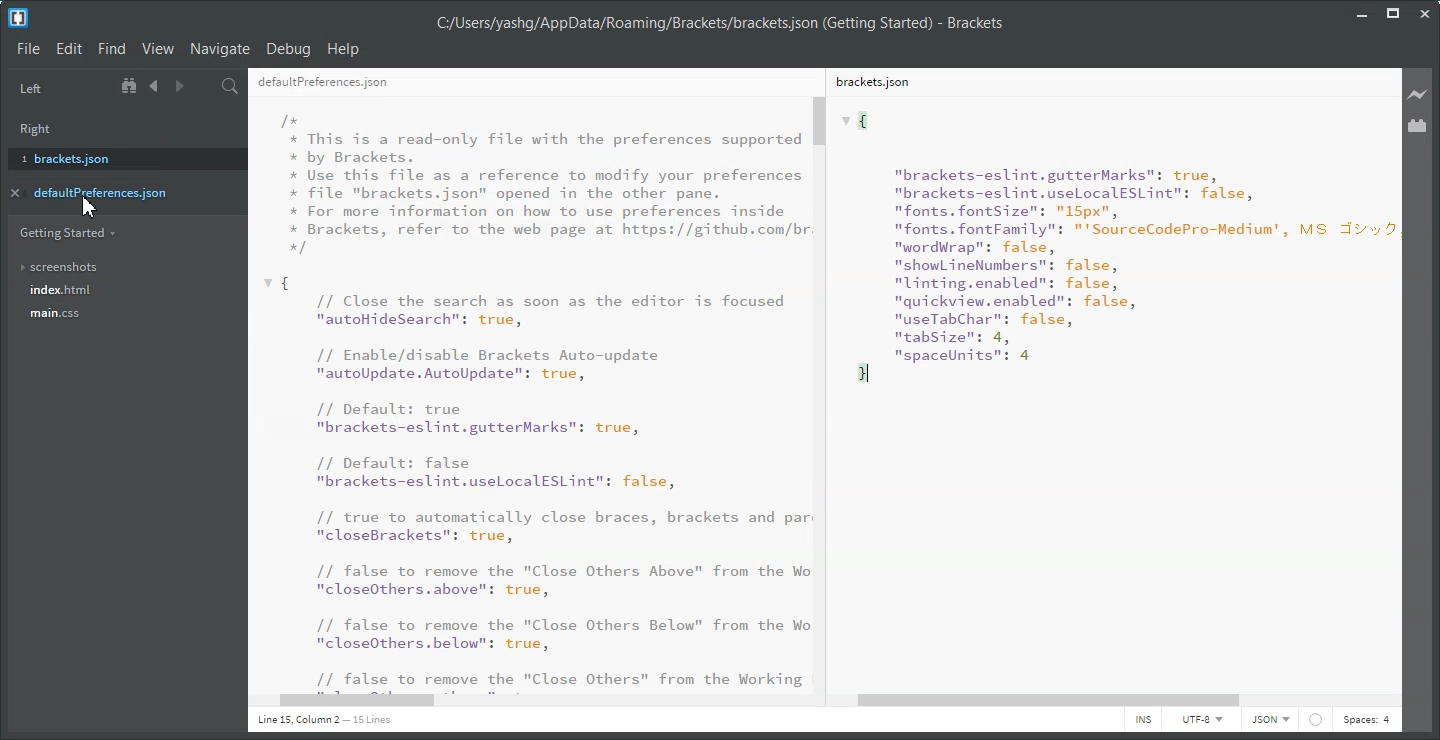  What do you see at coordinates (121, 267) in the screenshot?
I see `Screenshots` at bounding box center [121, 267].